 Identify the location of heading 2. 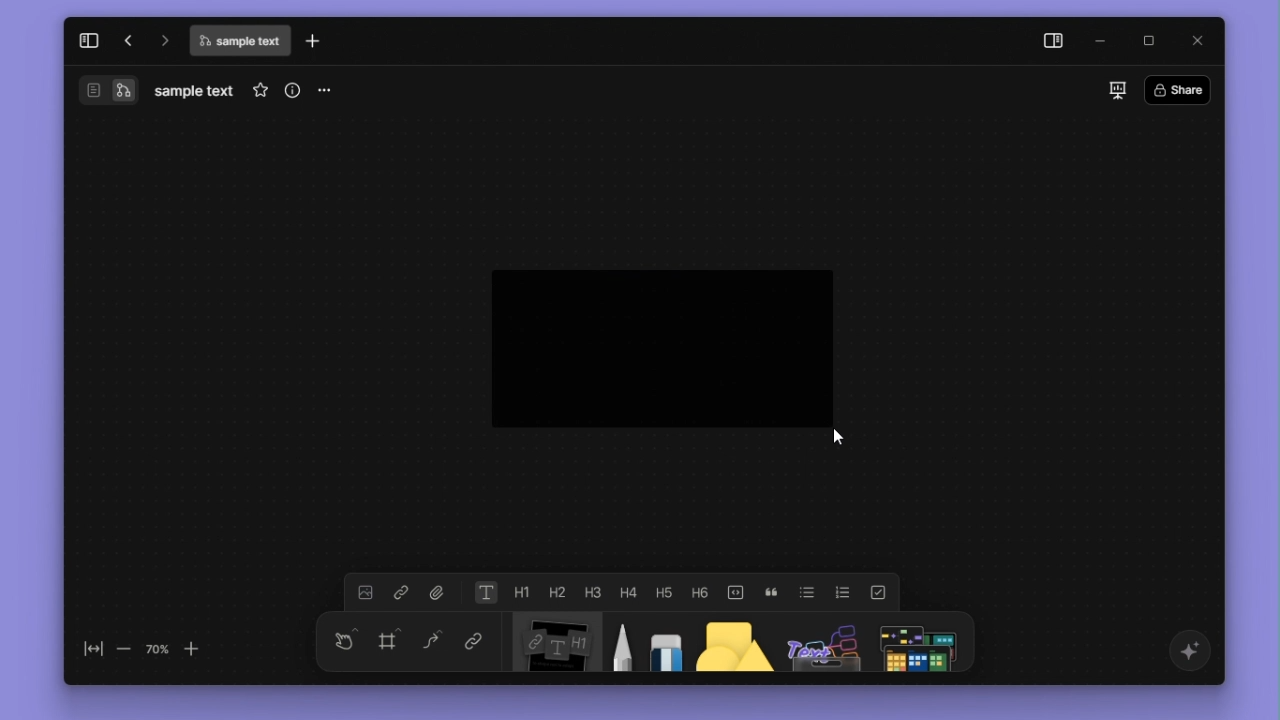
(555, 592).